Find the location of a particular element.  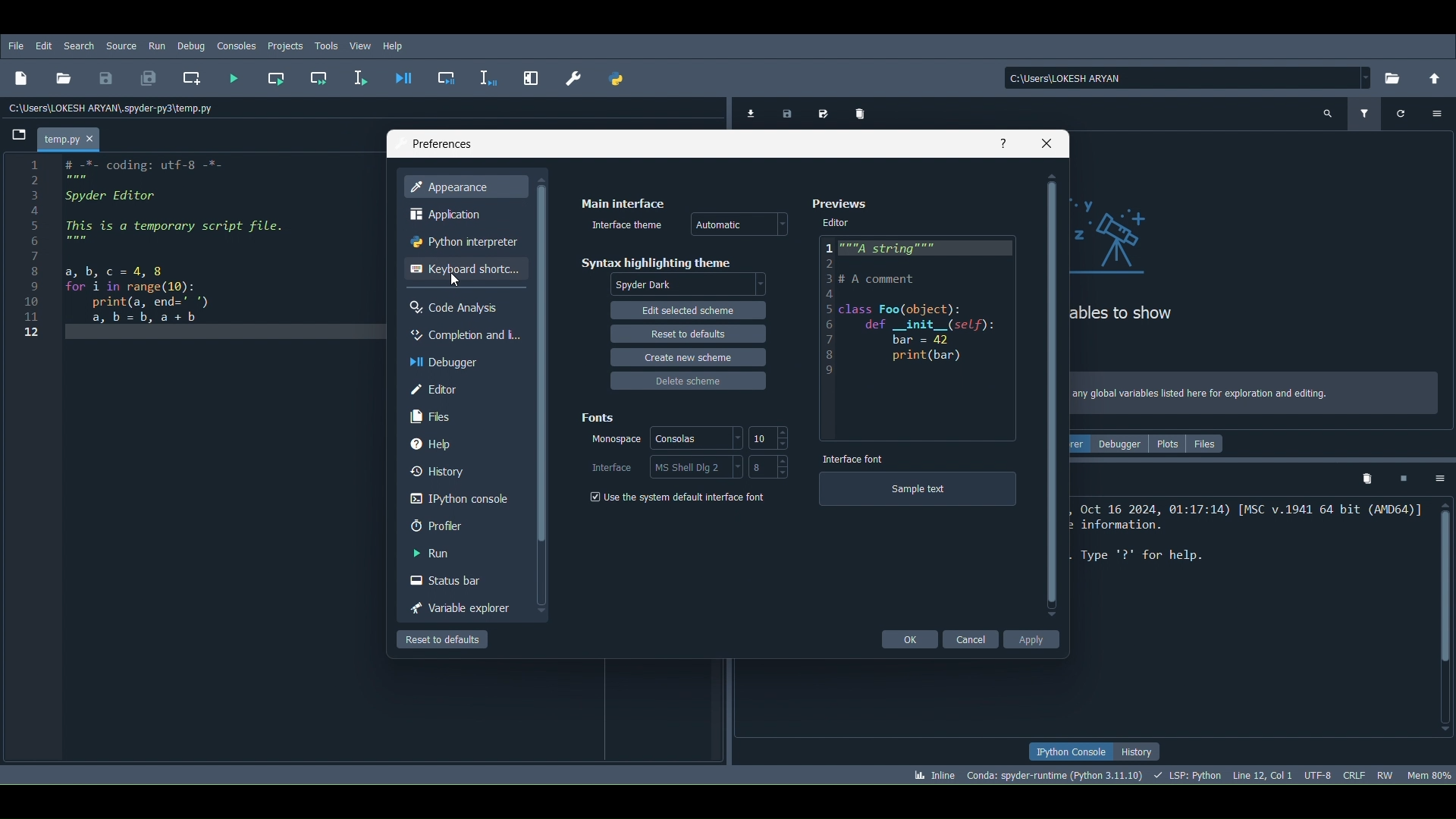

Use the system default interface font is located at coordinates (679, 497).